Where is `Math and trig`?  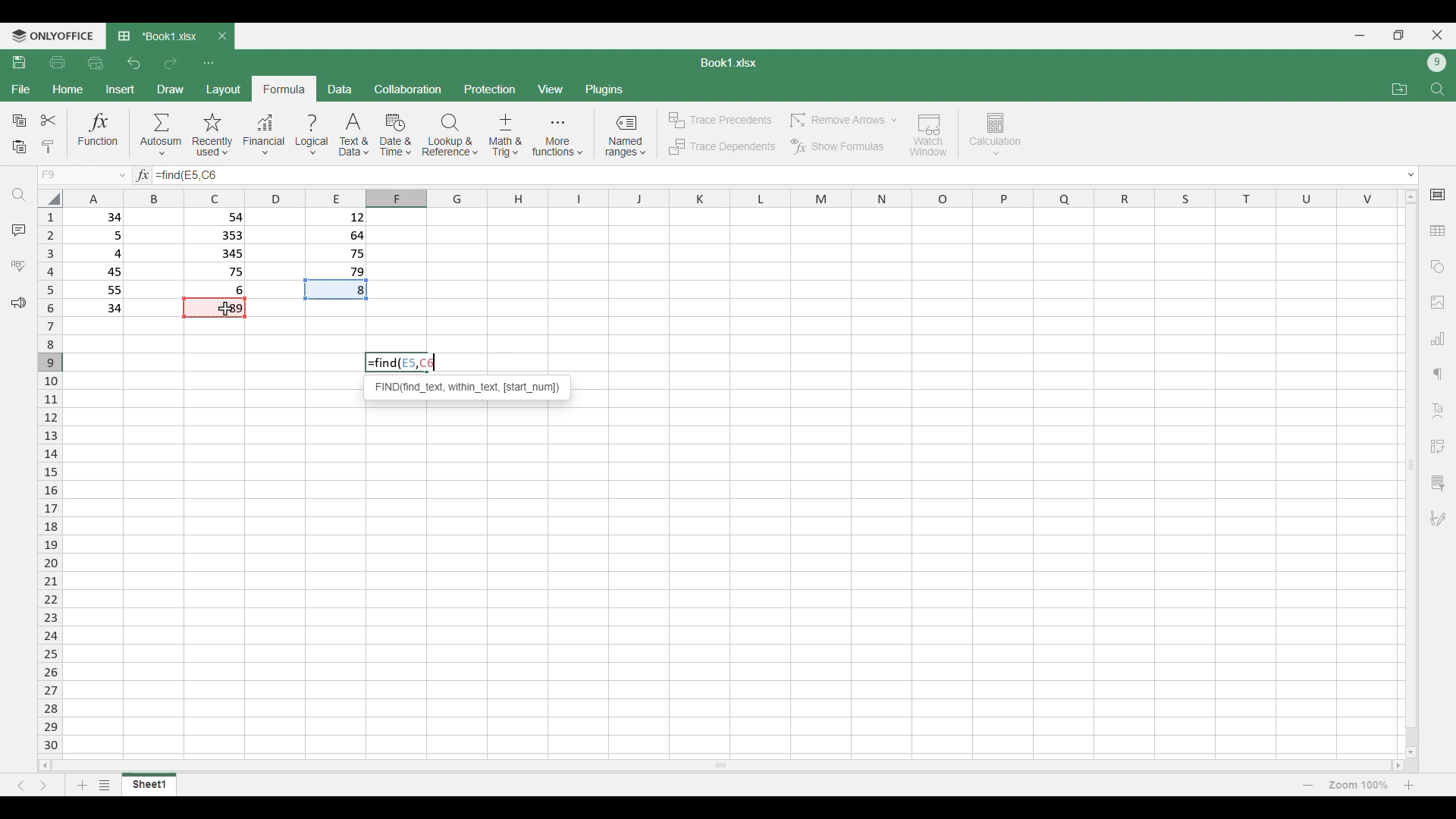
Math and trig is located at coordinates (505, 135).